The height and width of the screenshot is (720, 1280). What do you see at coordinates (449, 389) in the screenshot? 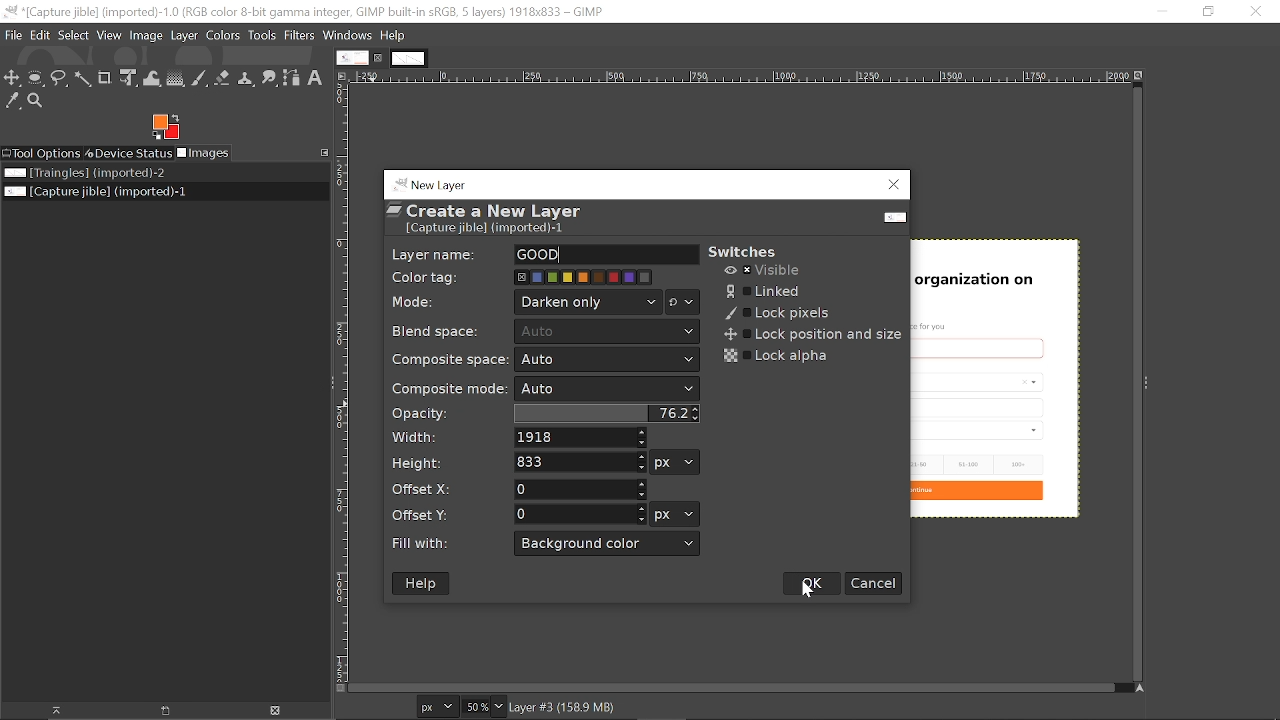
I see `‘Composite mode:` at bounding box center [449, 389].